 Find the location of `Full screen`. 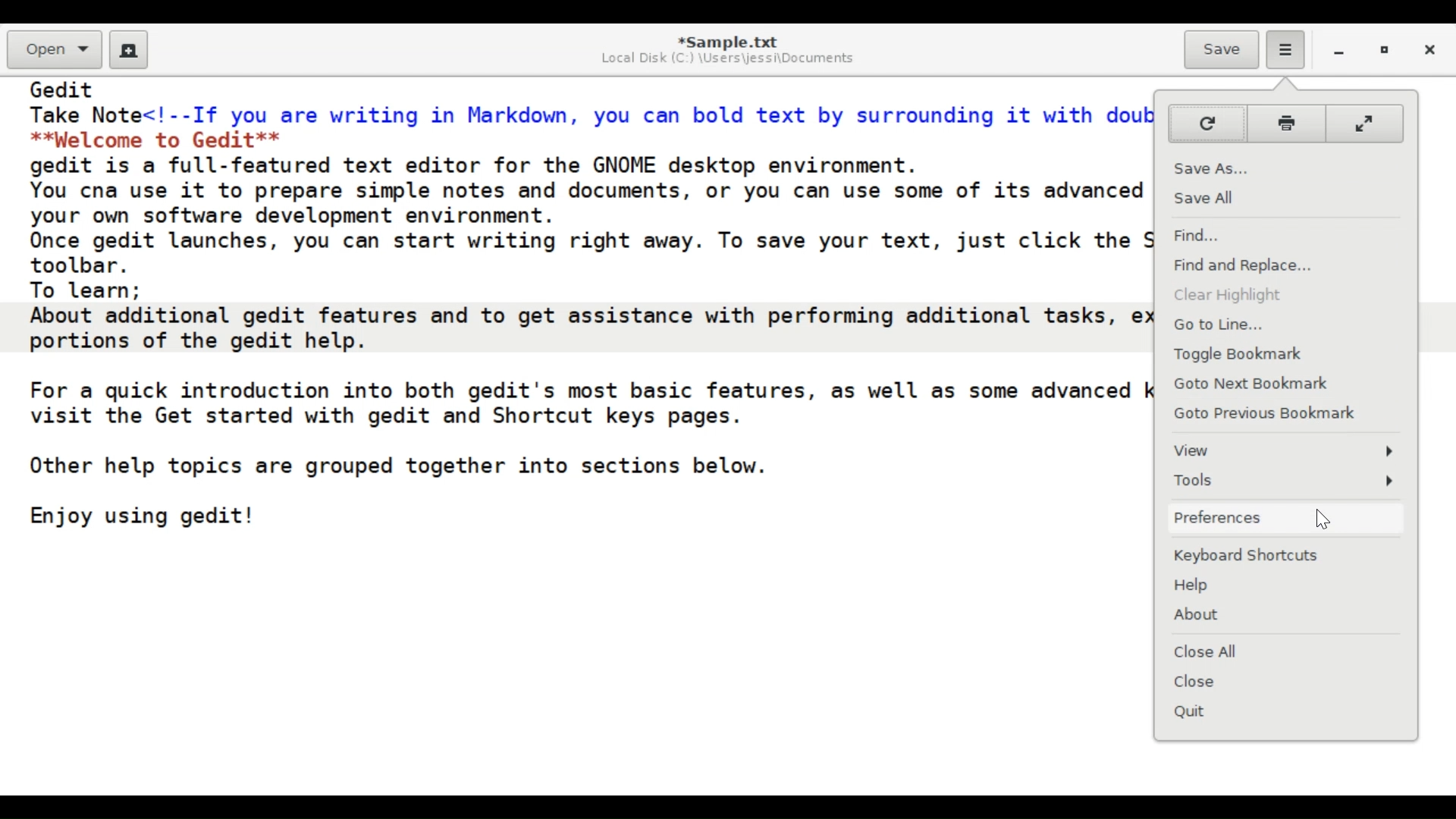

Full screen is located at coordinates (1367, 124).